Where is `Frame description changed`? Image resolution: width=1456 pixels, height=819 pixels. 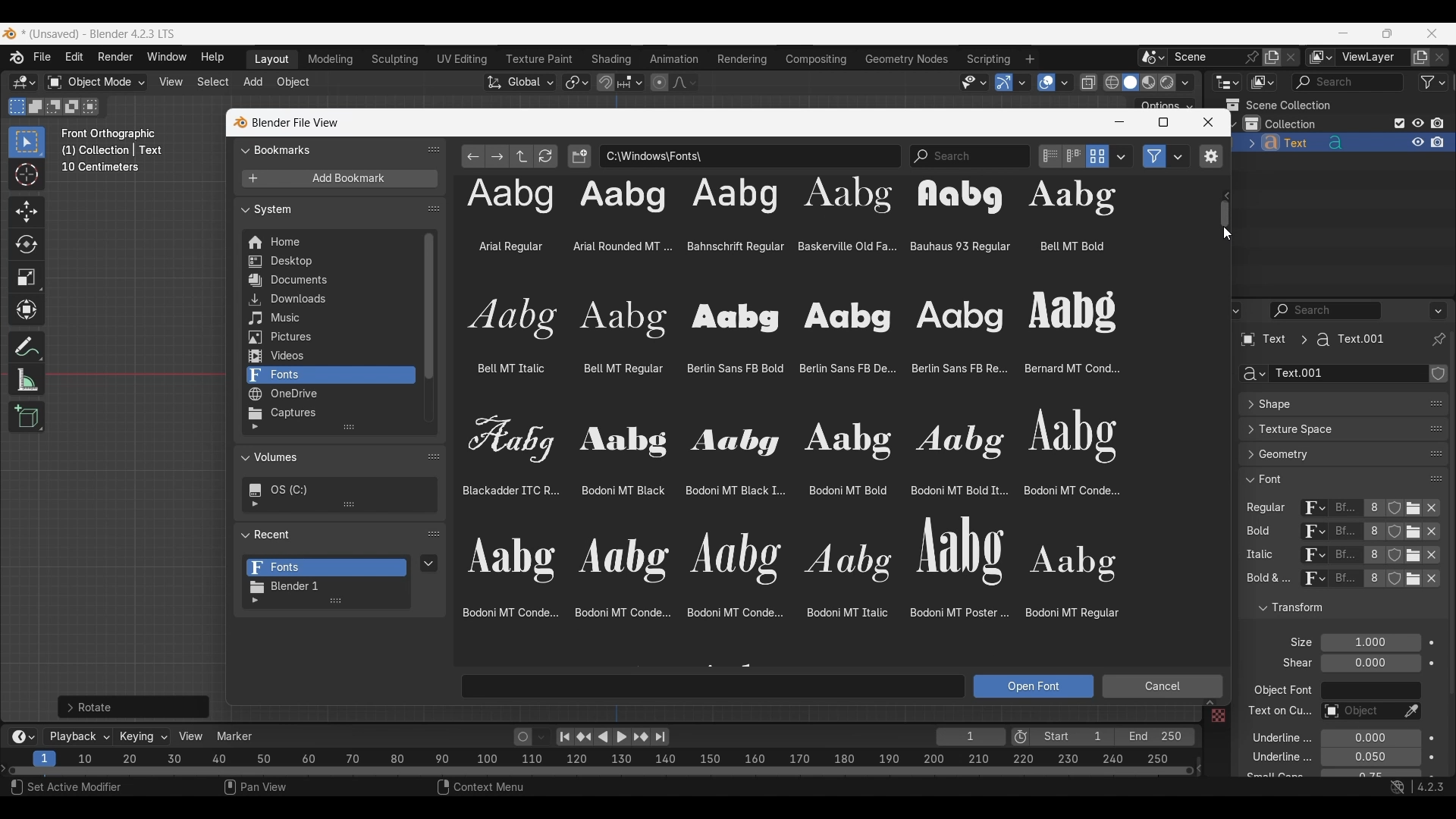
Frame description changed is located at coordinates (112, 150).